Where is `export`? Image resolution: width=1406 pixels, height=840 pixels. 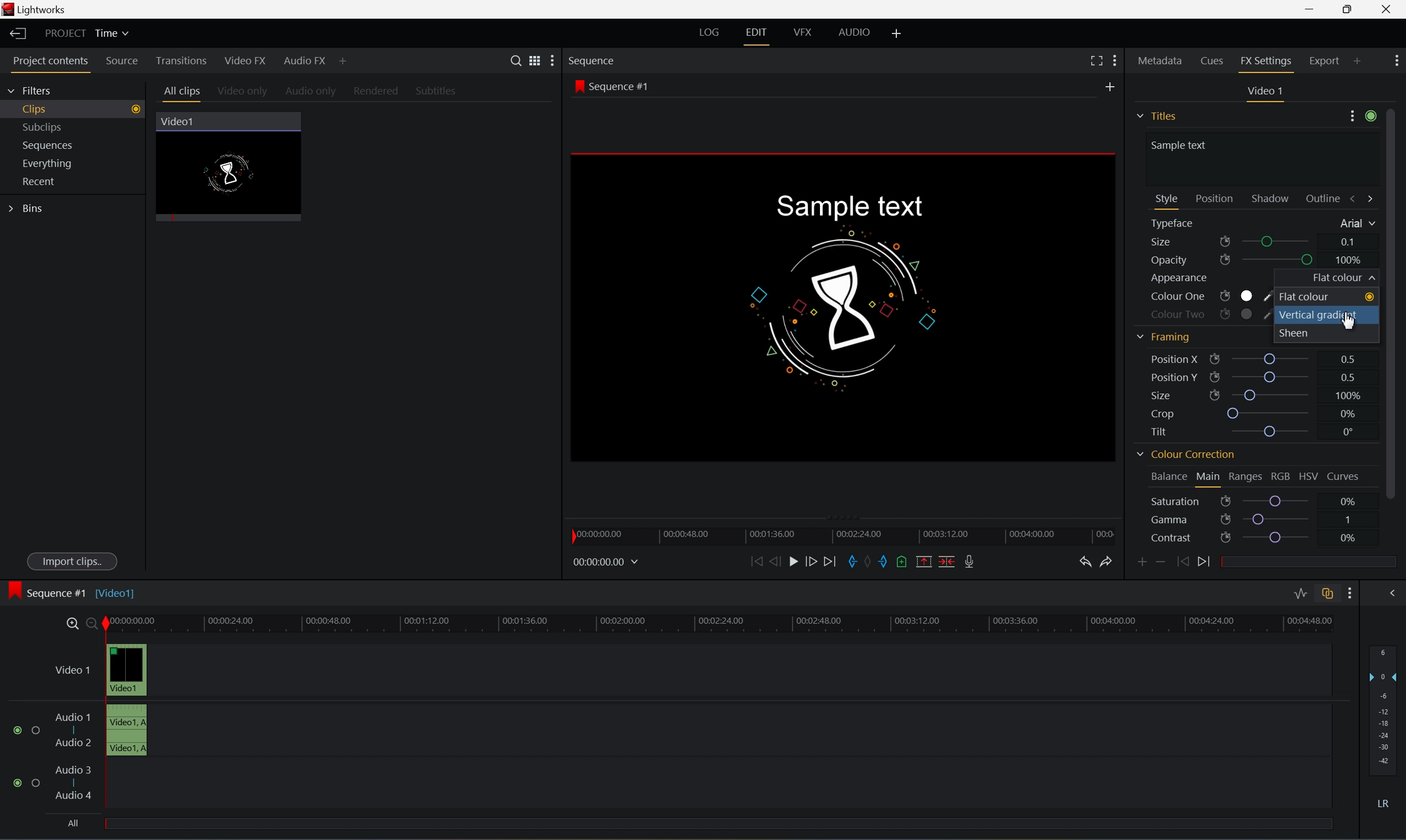 export is located at coordinates (1334, 60).